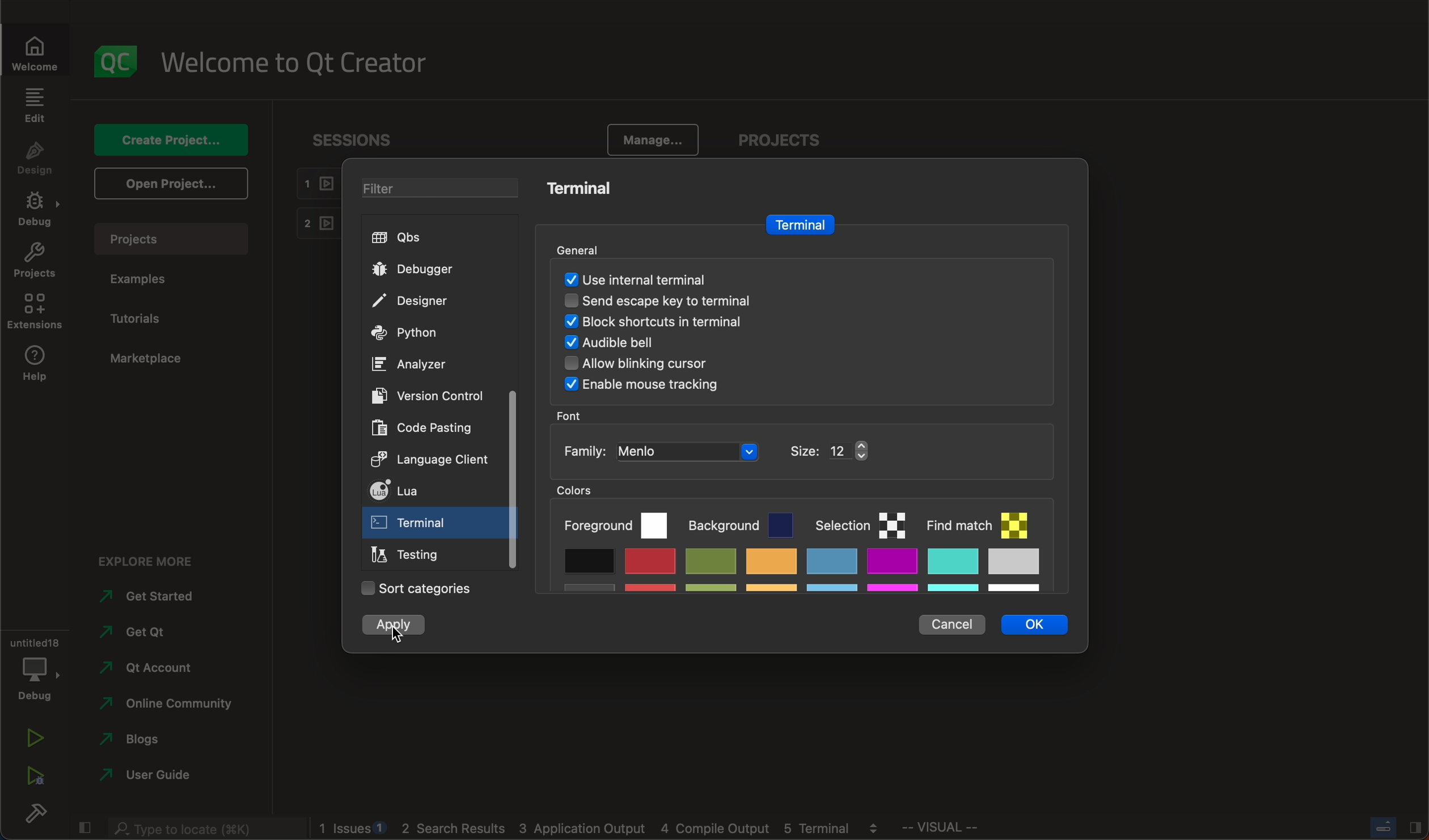 The height and width of the screenshot is (840, 1429). I want to click on testing, so click(411, 555).